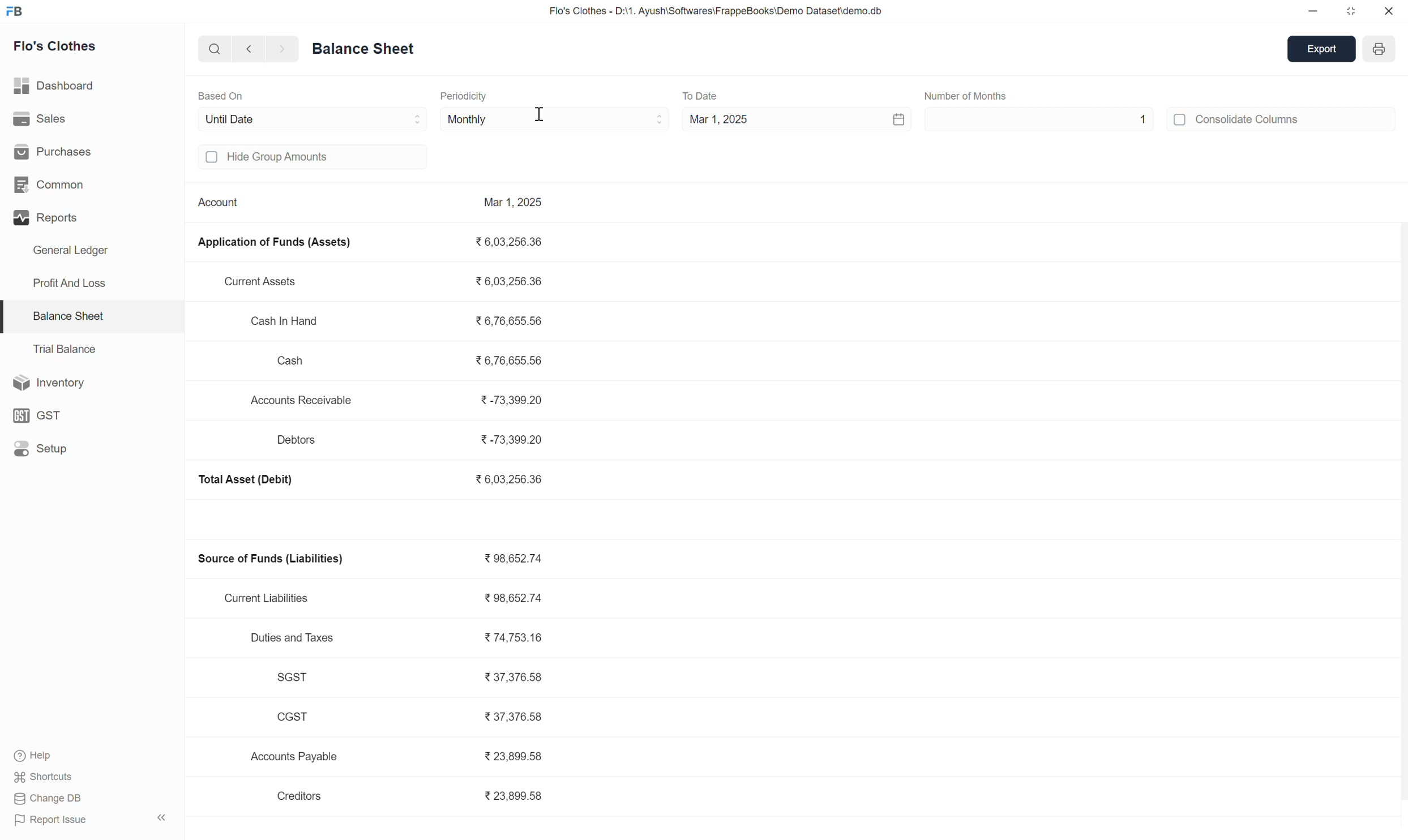 The height and width of the screenshot is (840, 1408). What do you see at coordinates (374, 242) in the screenshot?
I see `Application of Funds (Assets) ¥6,03,256.36` at bounding box center [374, 242].